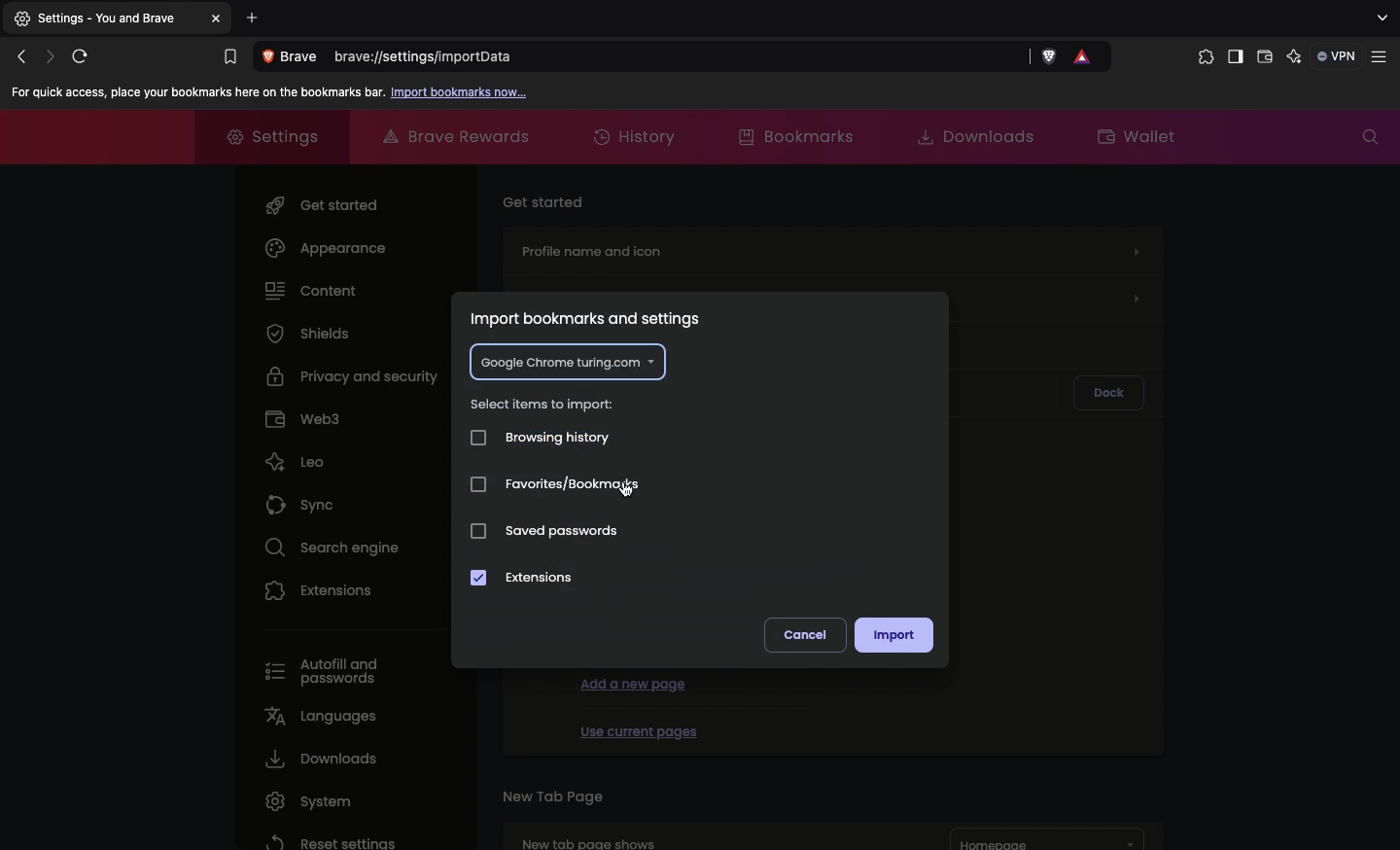 This screenshot has height=850, width=1400. What do you see at coordinates (320, 589) in the screenshot?
I see `Extensions` at bounding box center [320, 589].